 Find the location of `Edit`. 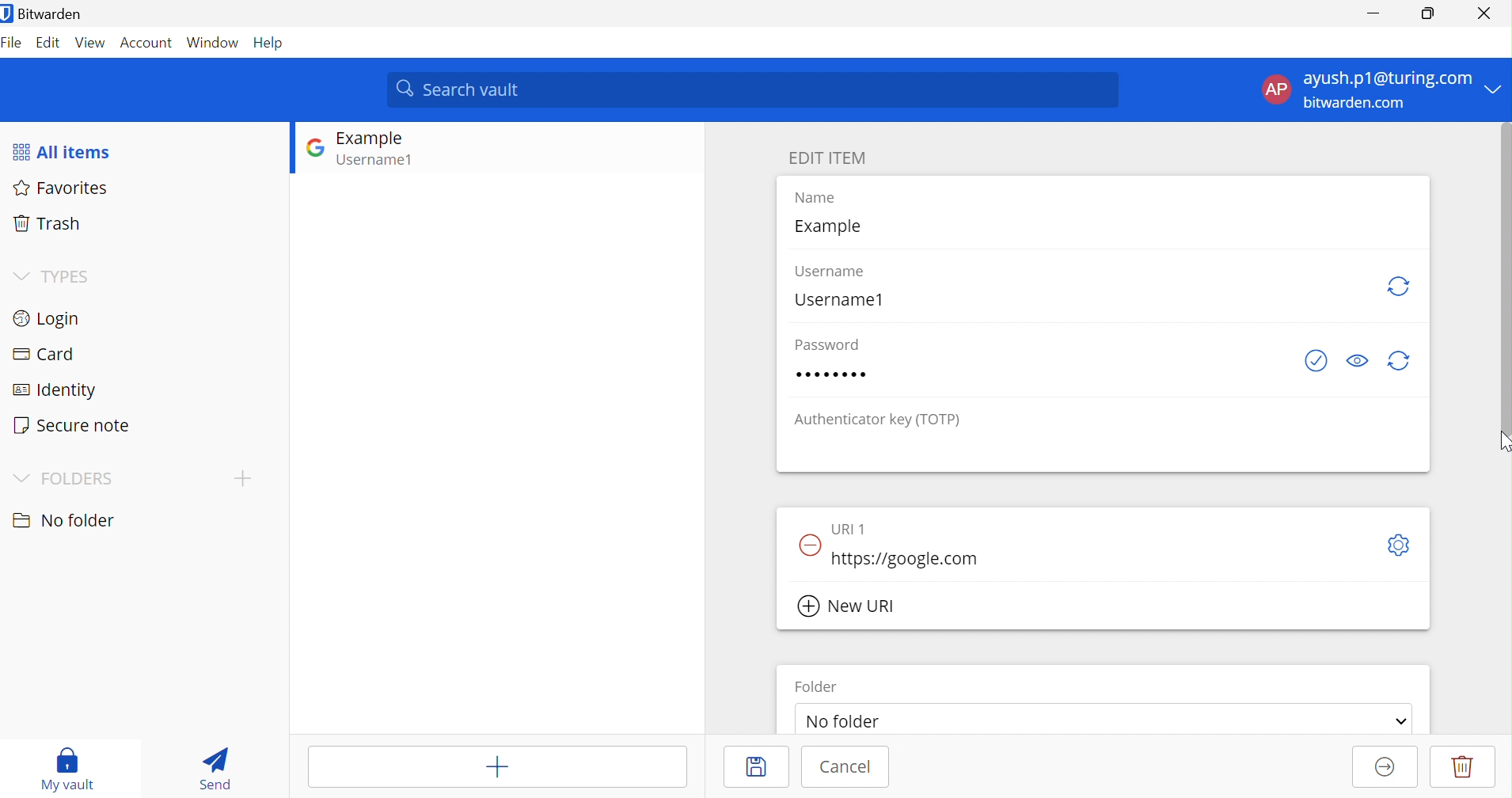

Edit is located at coordinates (48, 44).